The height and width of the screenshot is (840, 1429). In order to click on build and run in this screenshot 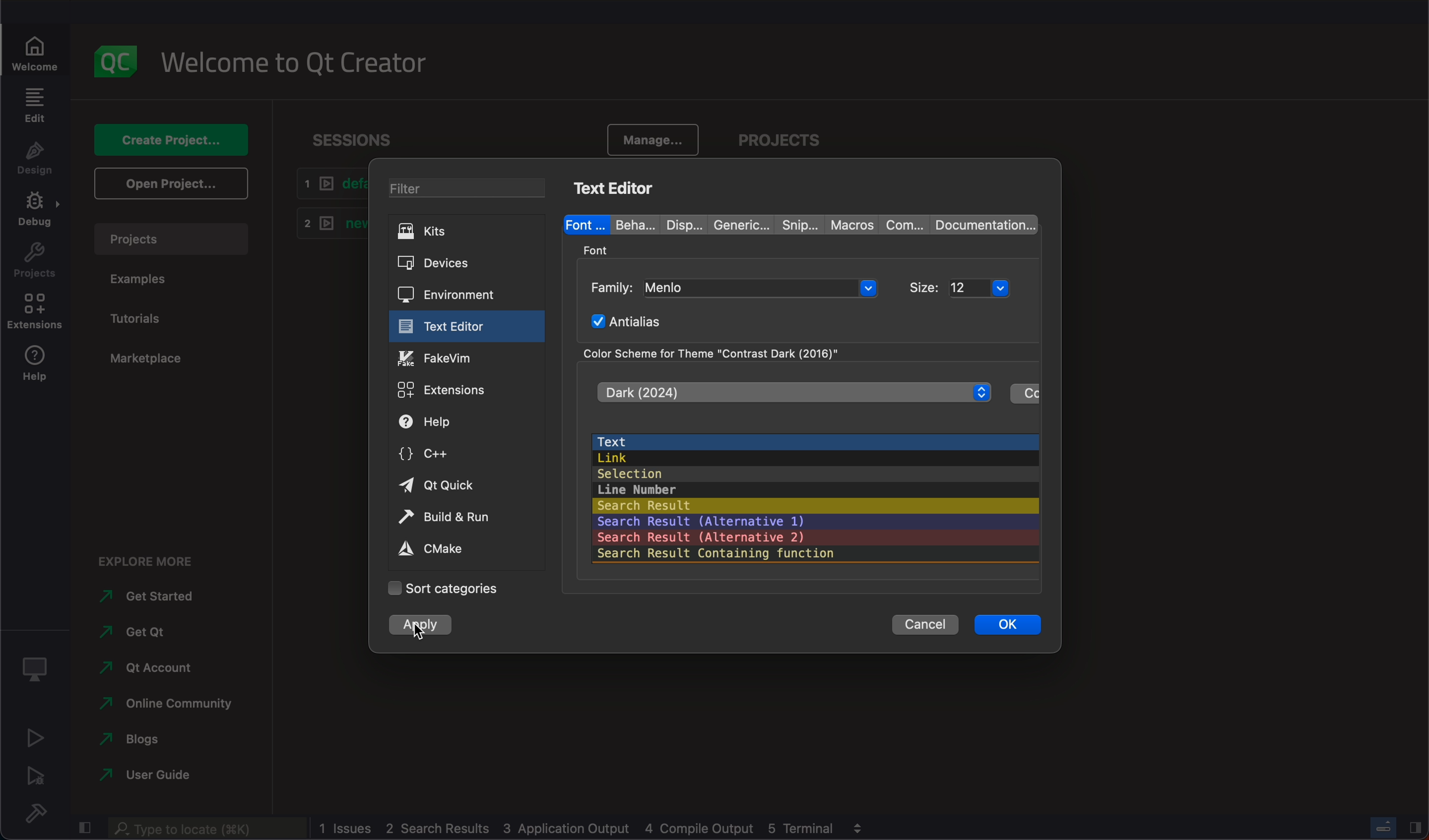, I will do `click(466, 516)`.